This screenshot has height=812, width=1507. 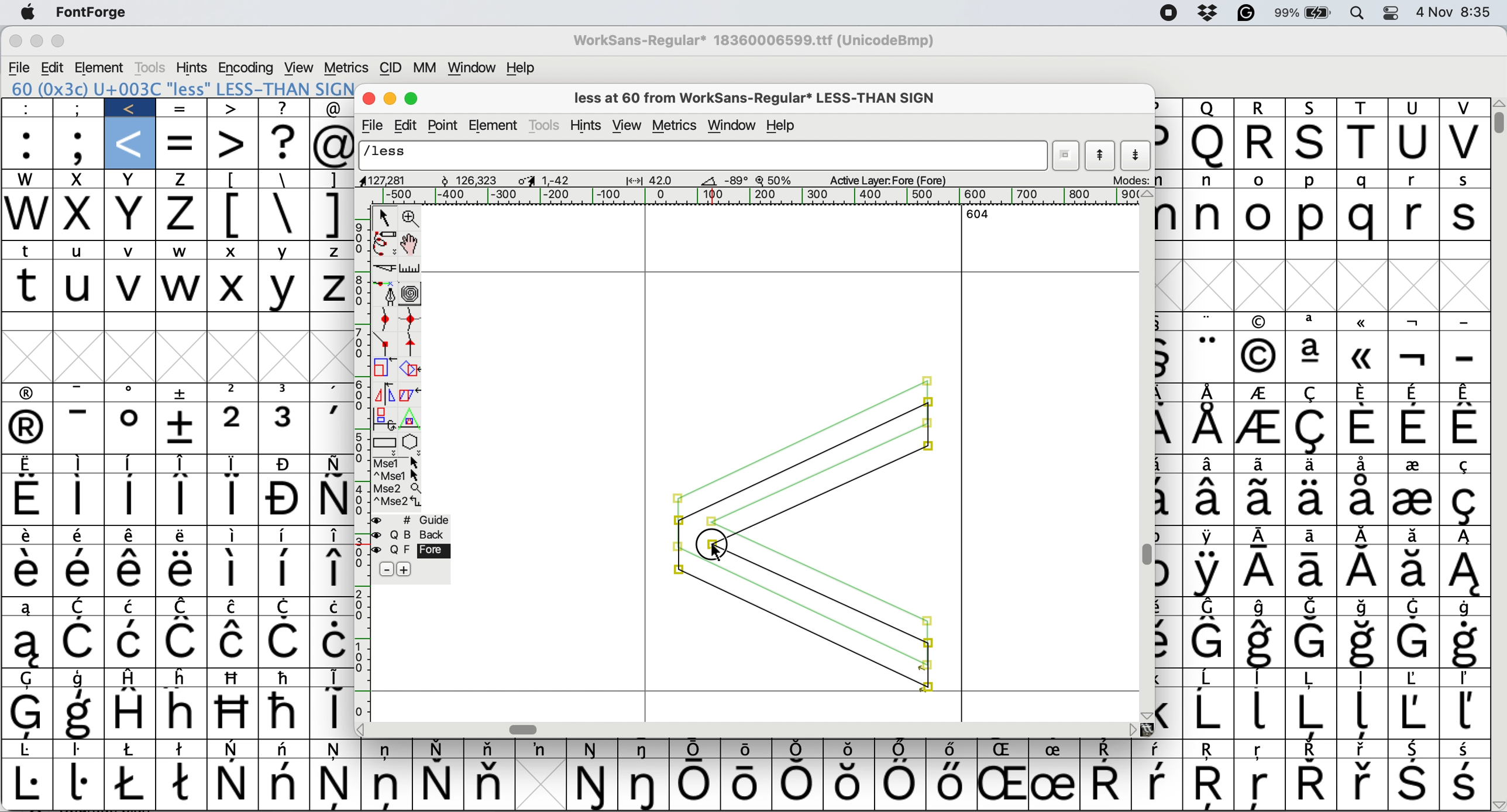 I want to click on Symbol, so click(x=1464, y=429).